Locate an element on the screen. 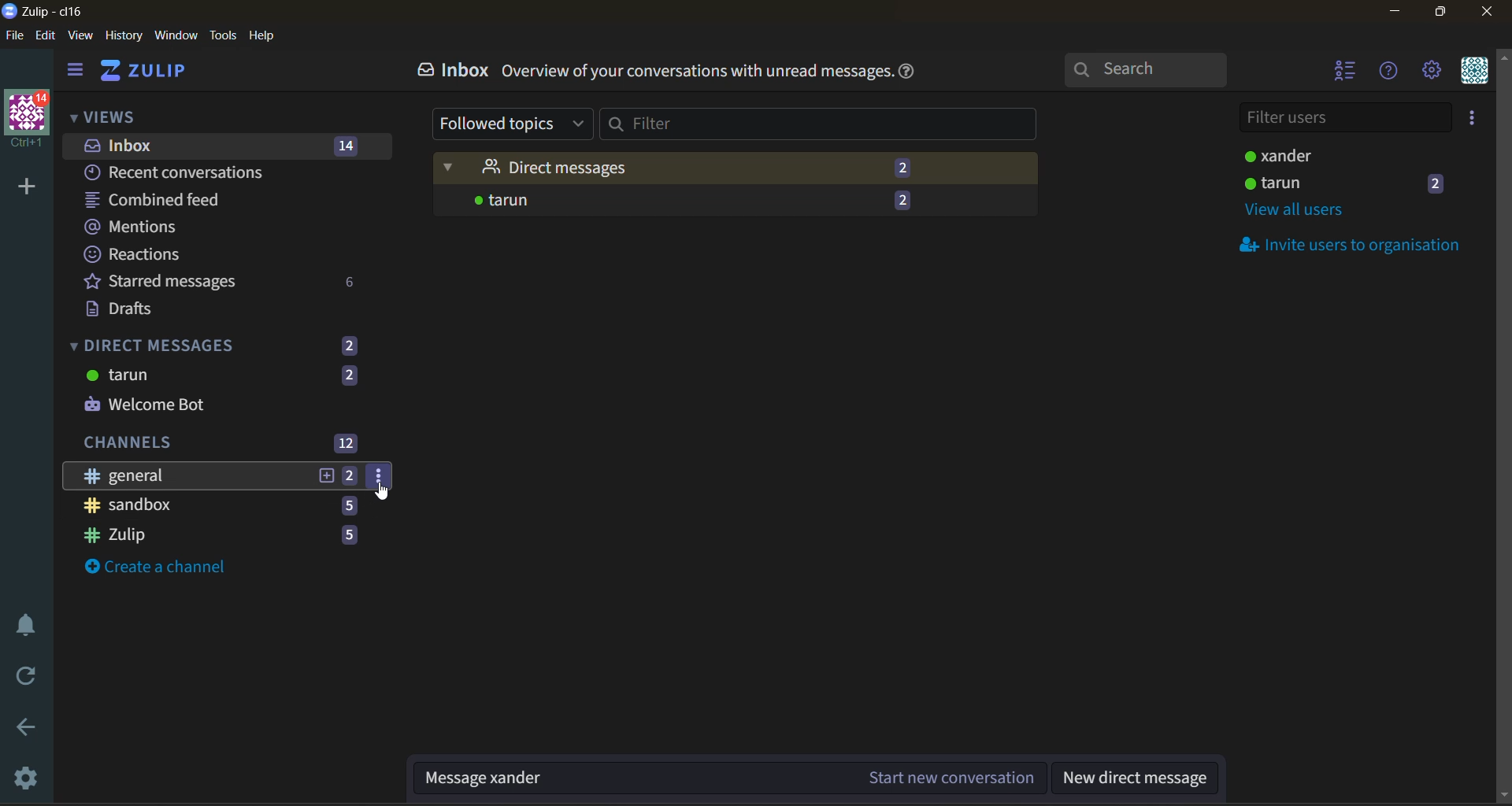  Inbox. Overview of your conversations with unread messages. is located at coordinates (640, 69).